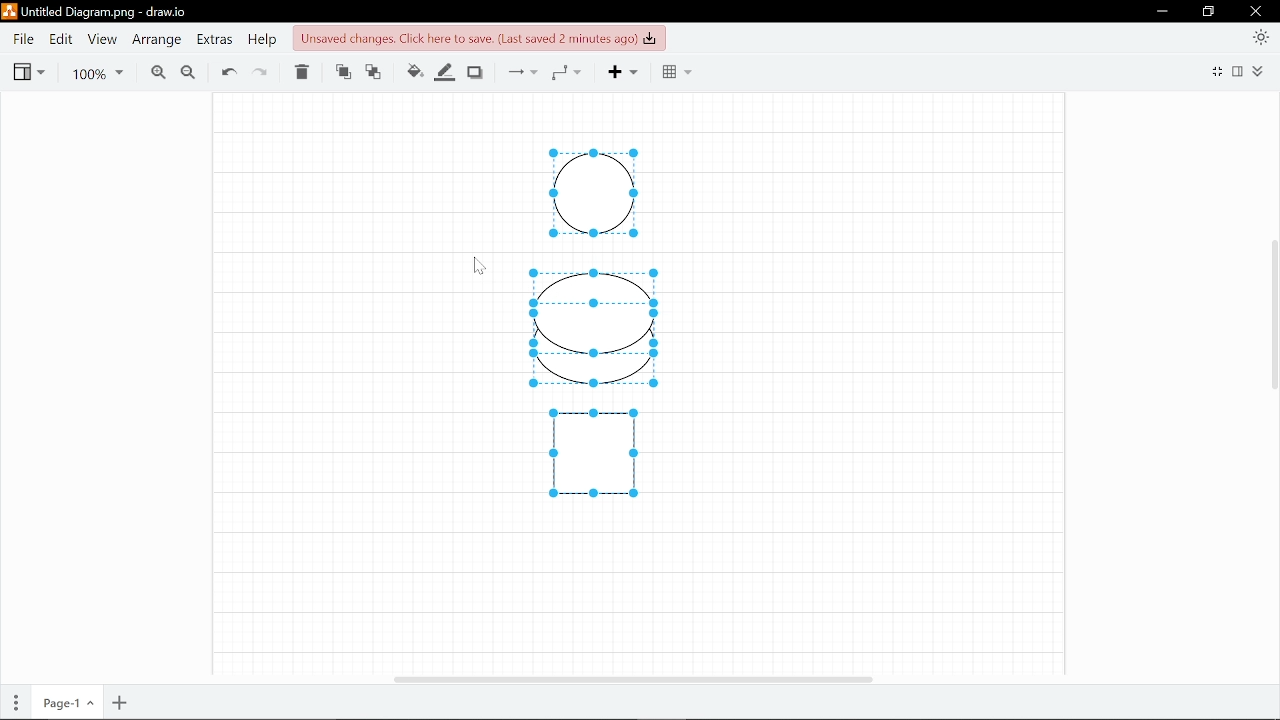  What do you see at coordinates (121, 703) in the screenshot?
I see `Add page` at bounding box center [121, 703].